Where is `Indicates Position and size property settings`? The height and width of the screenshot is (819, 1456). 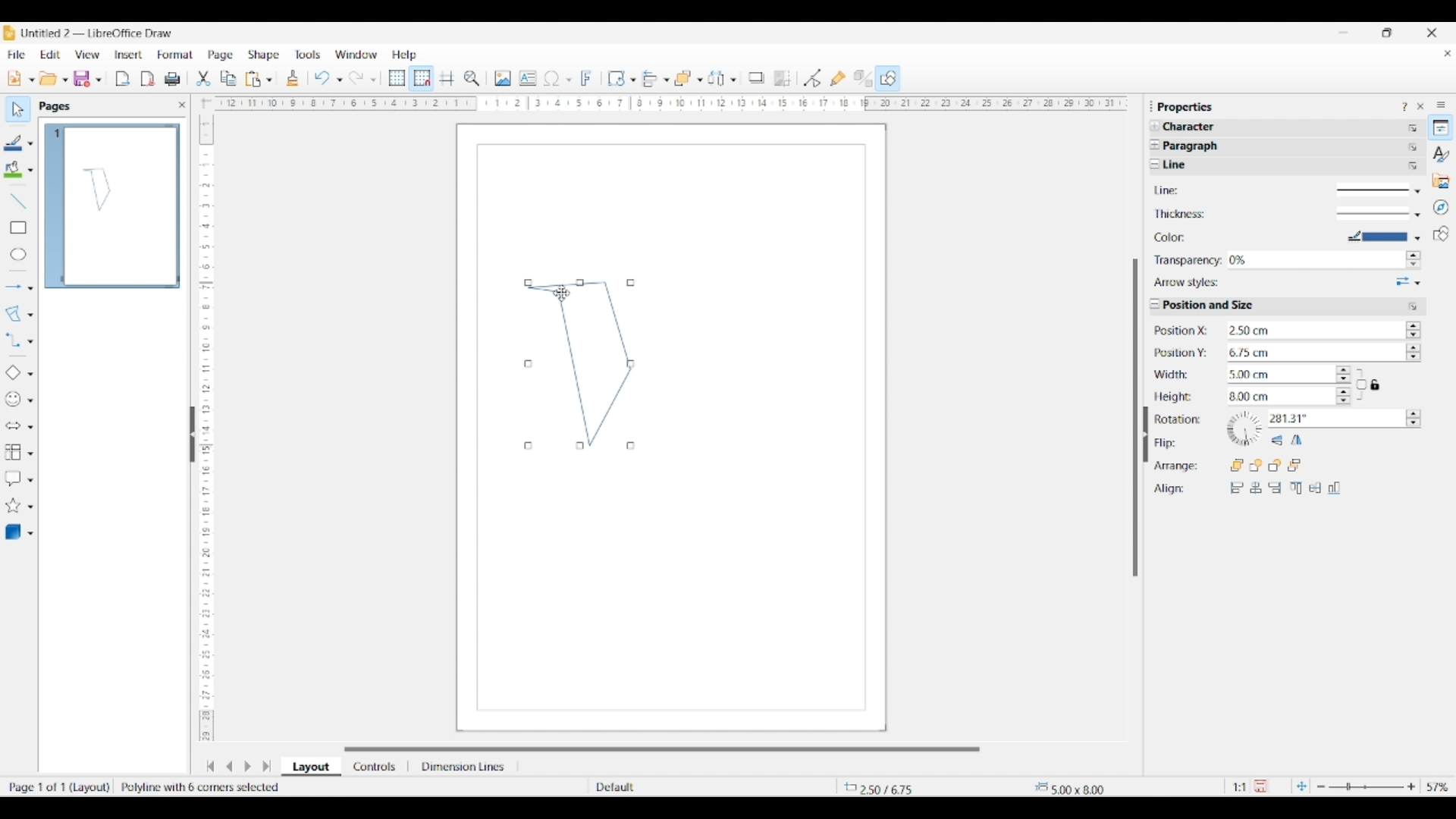
Indicates Position and size property settings is located at coordinates (1214, 306).